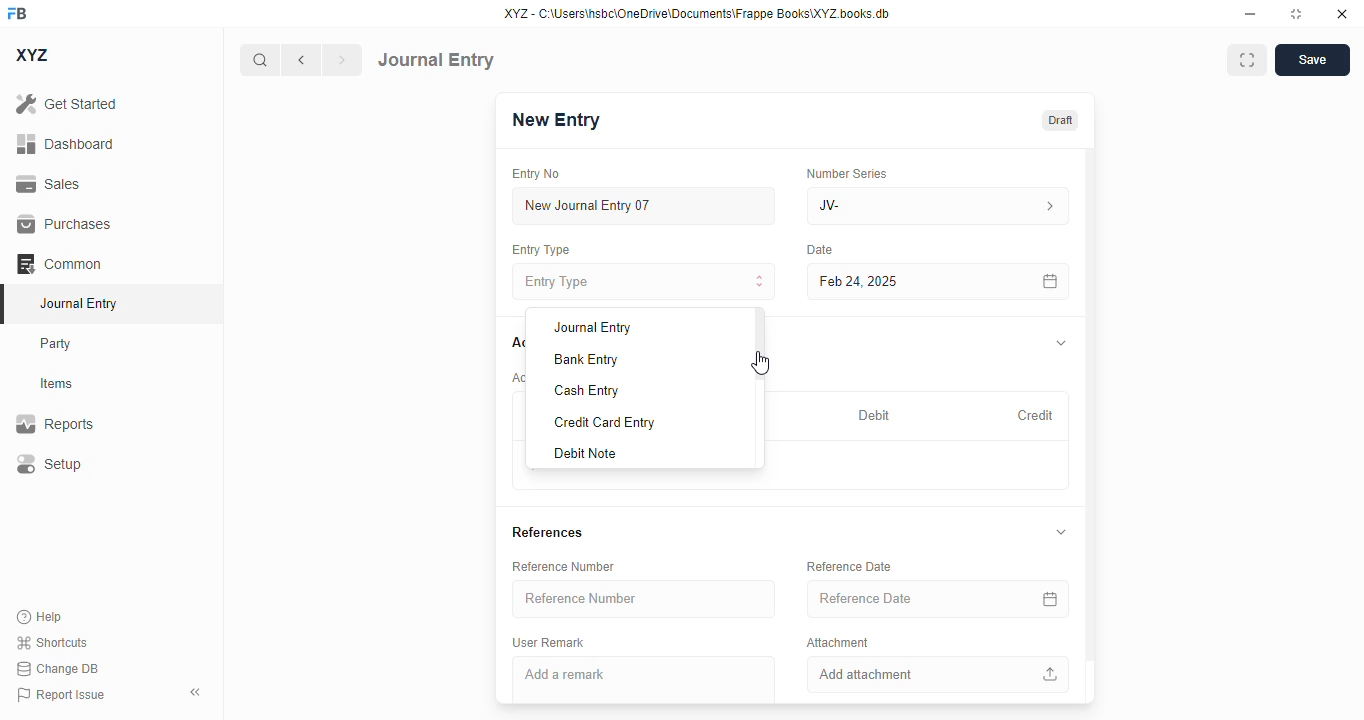 The width and height of the screenshot is (1364, 720). Describe the element at coordinates (1063, 532) in the screenshot. I see `toggle expand/collapse` at that location.